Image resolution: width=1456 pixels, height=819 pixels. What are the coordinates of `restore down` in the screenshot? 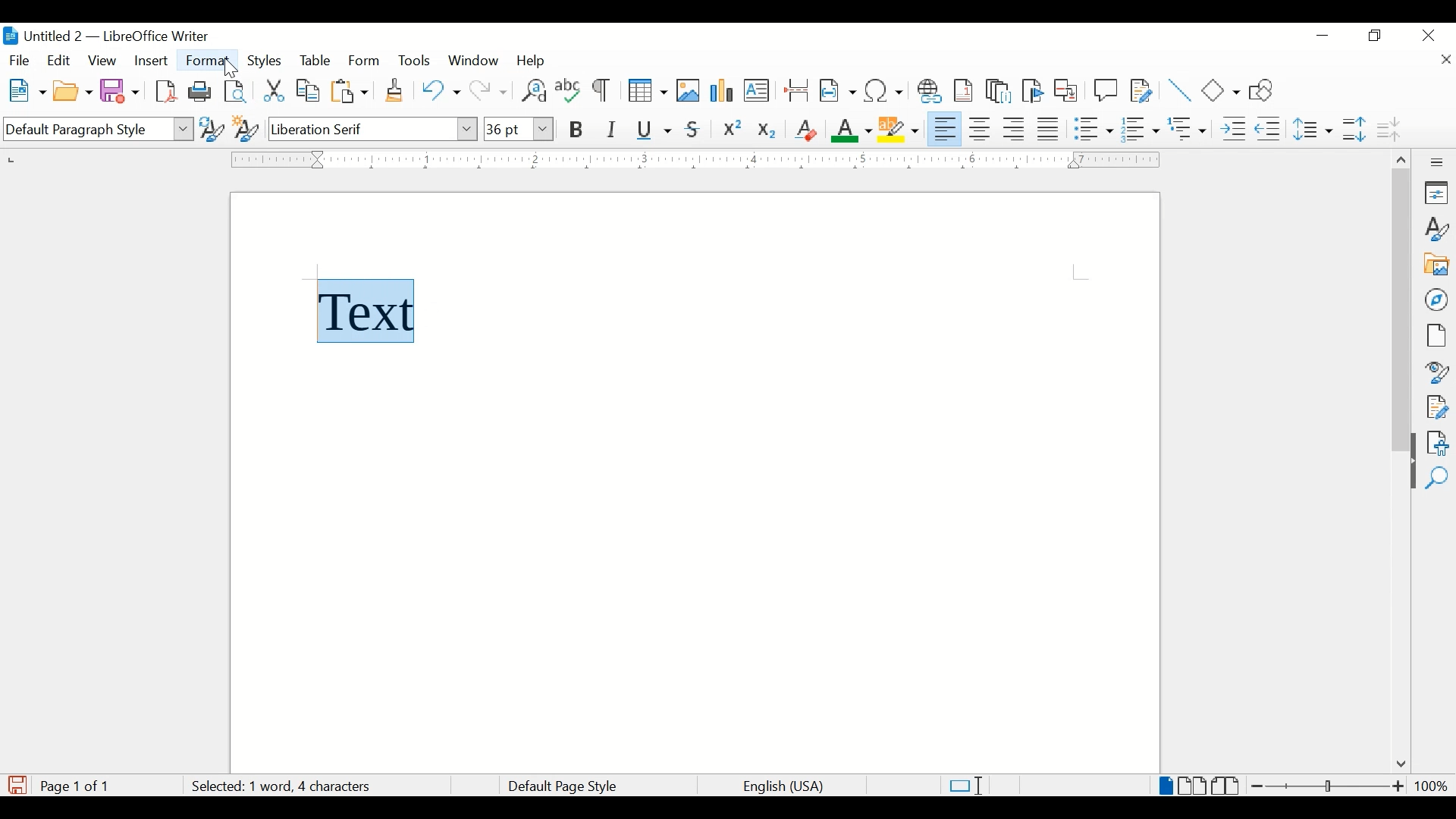 It's located at (1376, 36).